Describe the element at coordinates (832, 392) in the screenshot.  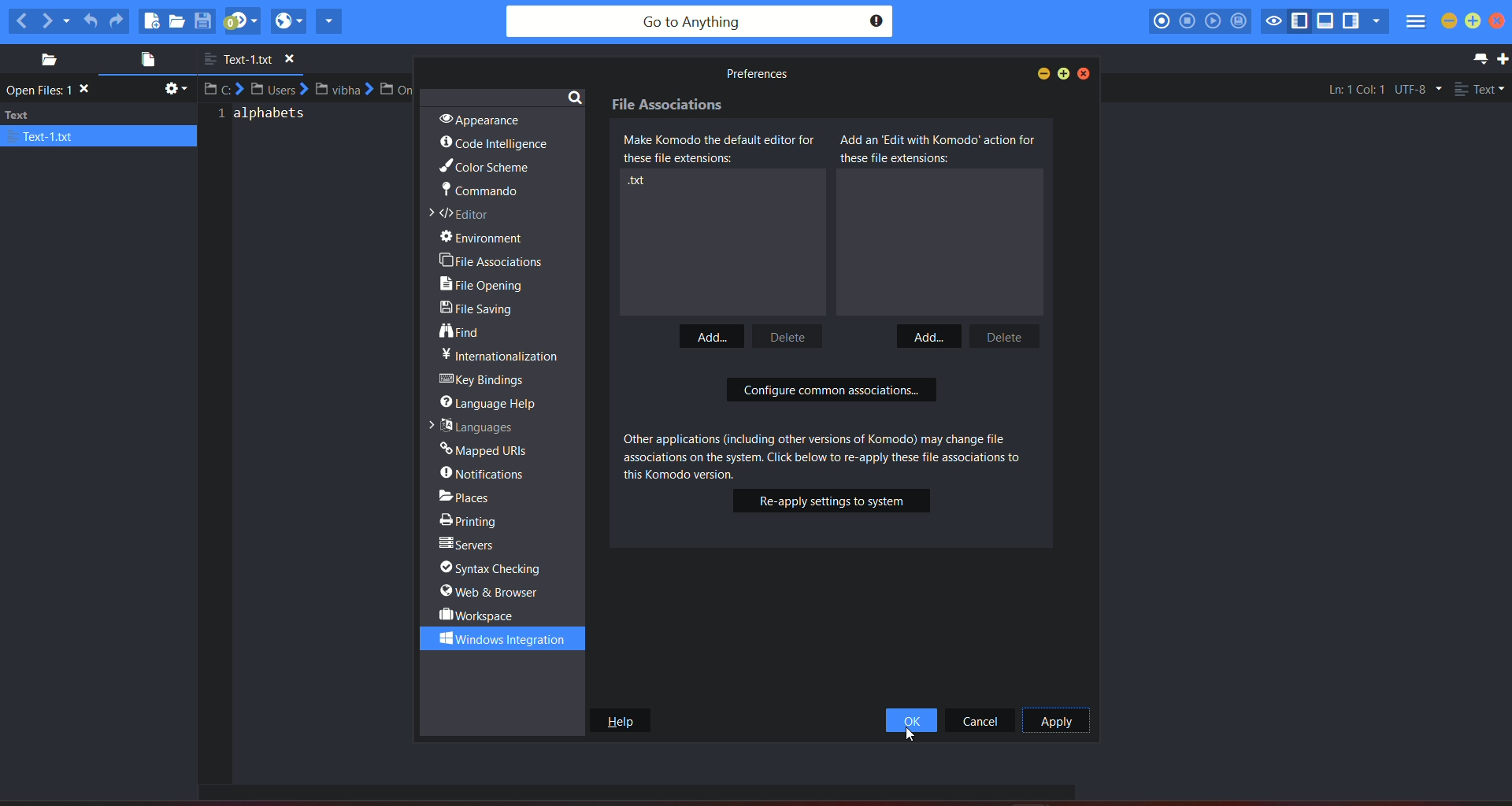
I see `configure common associations` at that location.